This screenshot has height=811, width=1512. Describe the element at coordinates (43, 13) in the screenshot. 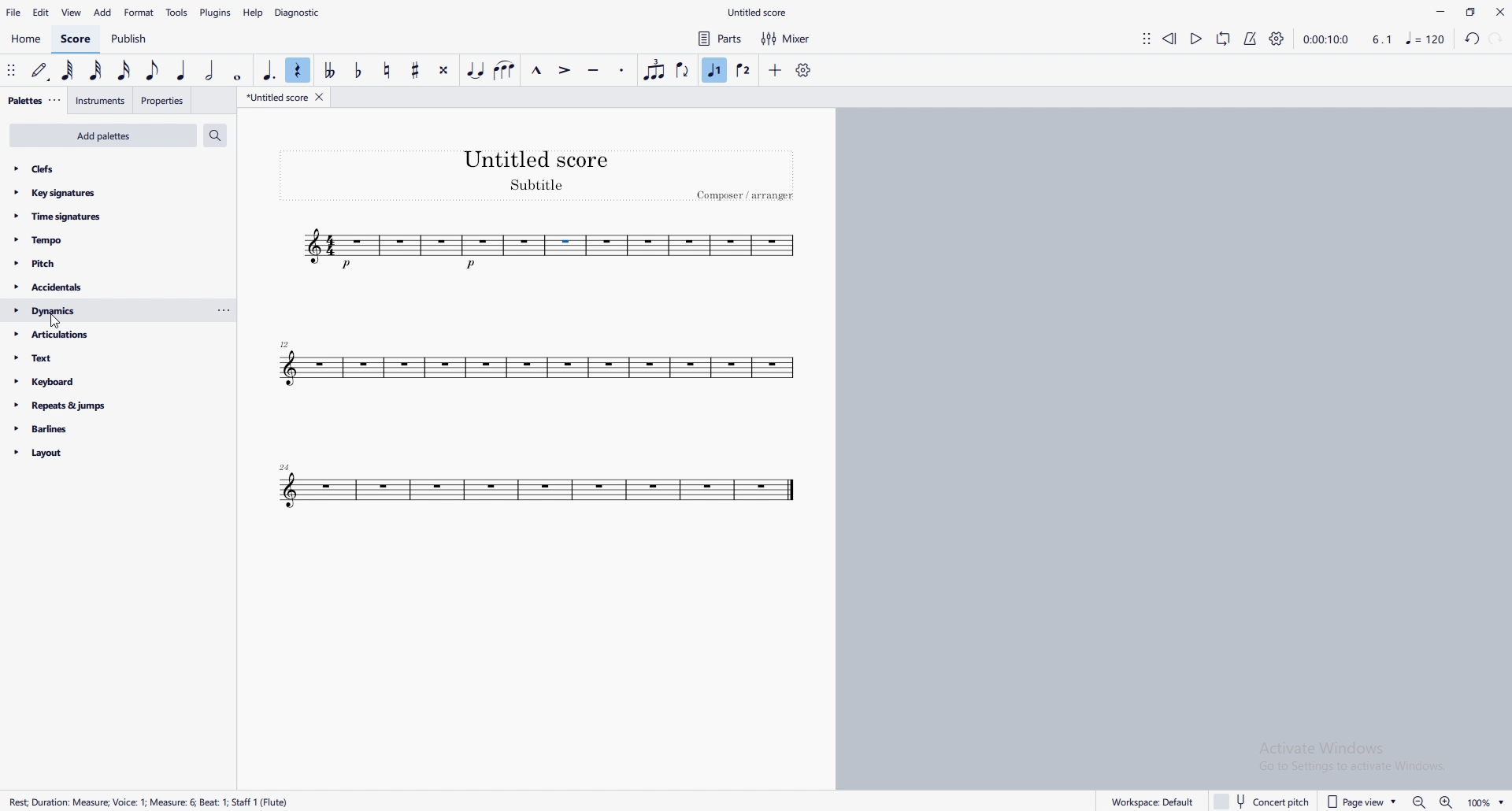

I see `edit` at that location.